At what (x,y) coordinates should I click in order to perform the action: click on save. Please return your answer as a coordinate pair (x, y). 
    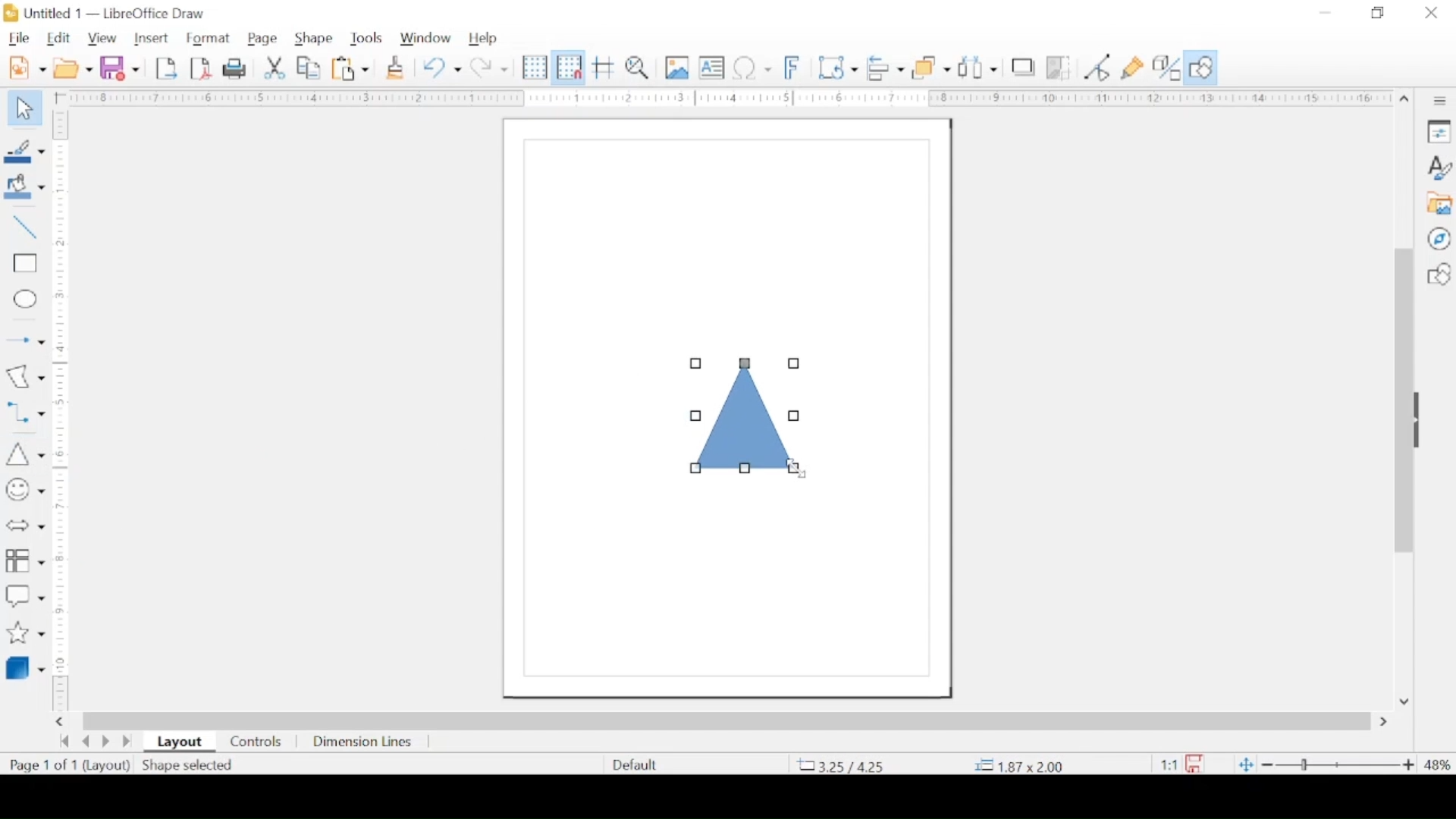
    Looking at the image, I should click on (121, 67).